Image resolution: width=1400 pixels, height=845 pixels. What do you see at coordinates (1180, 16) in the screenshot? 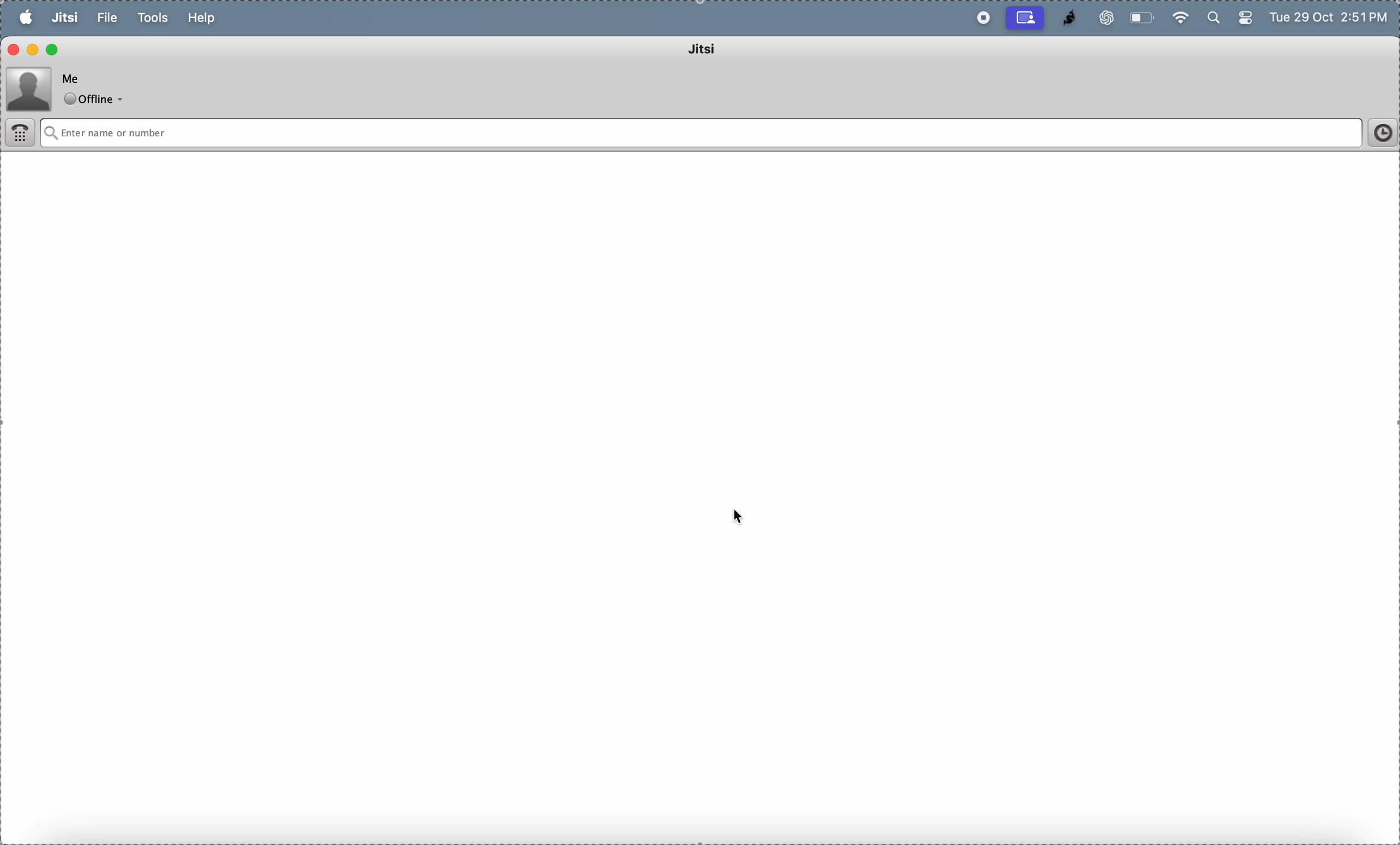
I see `wifi` at bounding box center [1180, 16].